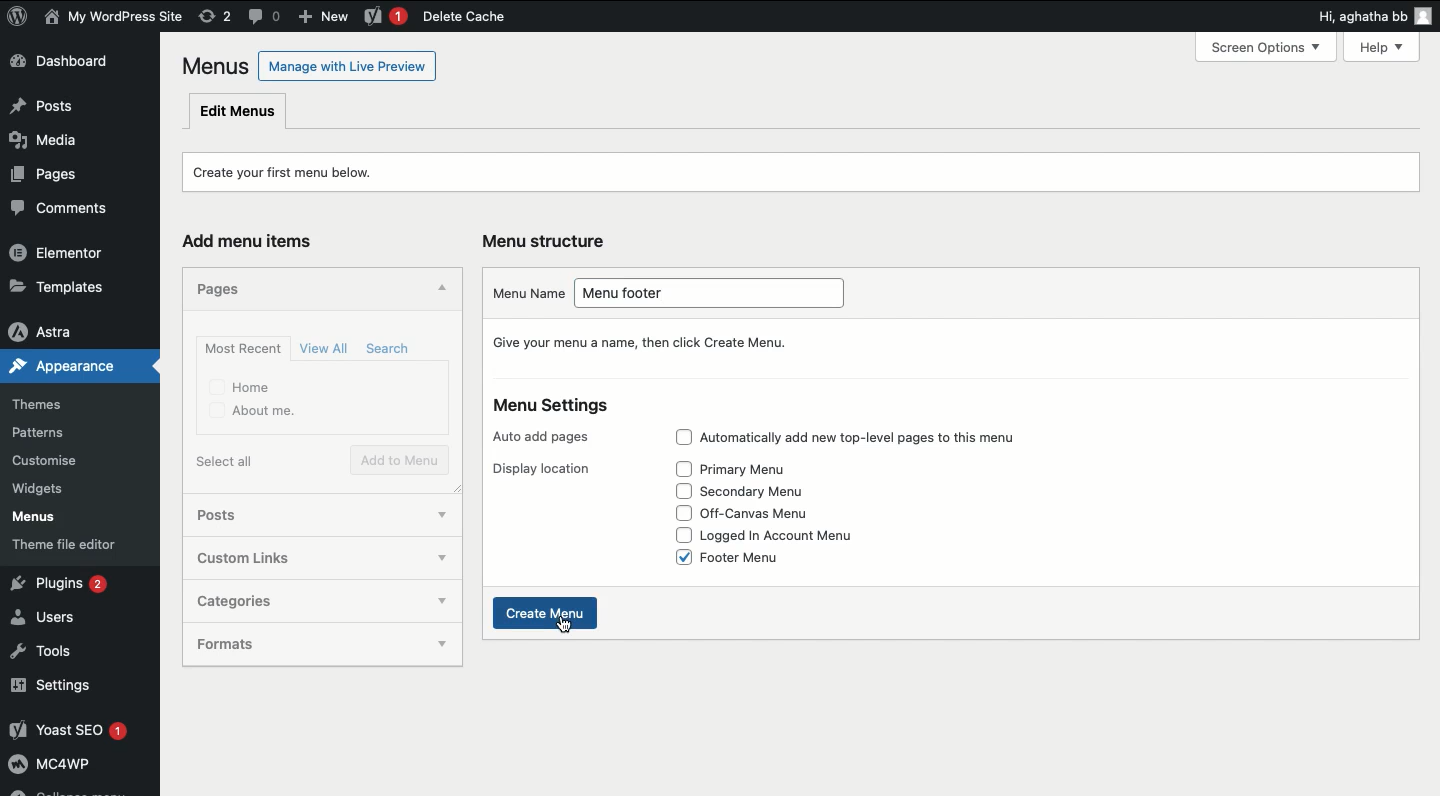 The height and width of the screenshot is (796, 1440). What do you see at coordinates (881, 438) in the screenshot?
I see `Automatically add top level pages to this menu` at bounding box center [881, 438].